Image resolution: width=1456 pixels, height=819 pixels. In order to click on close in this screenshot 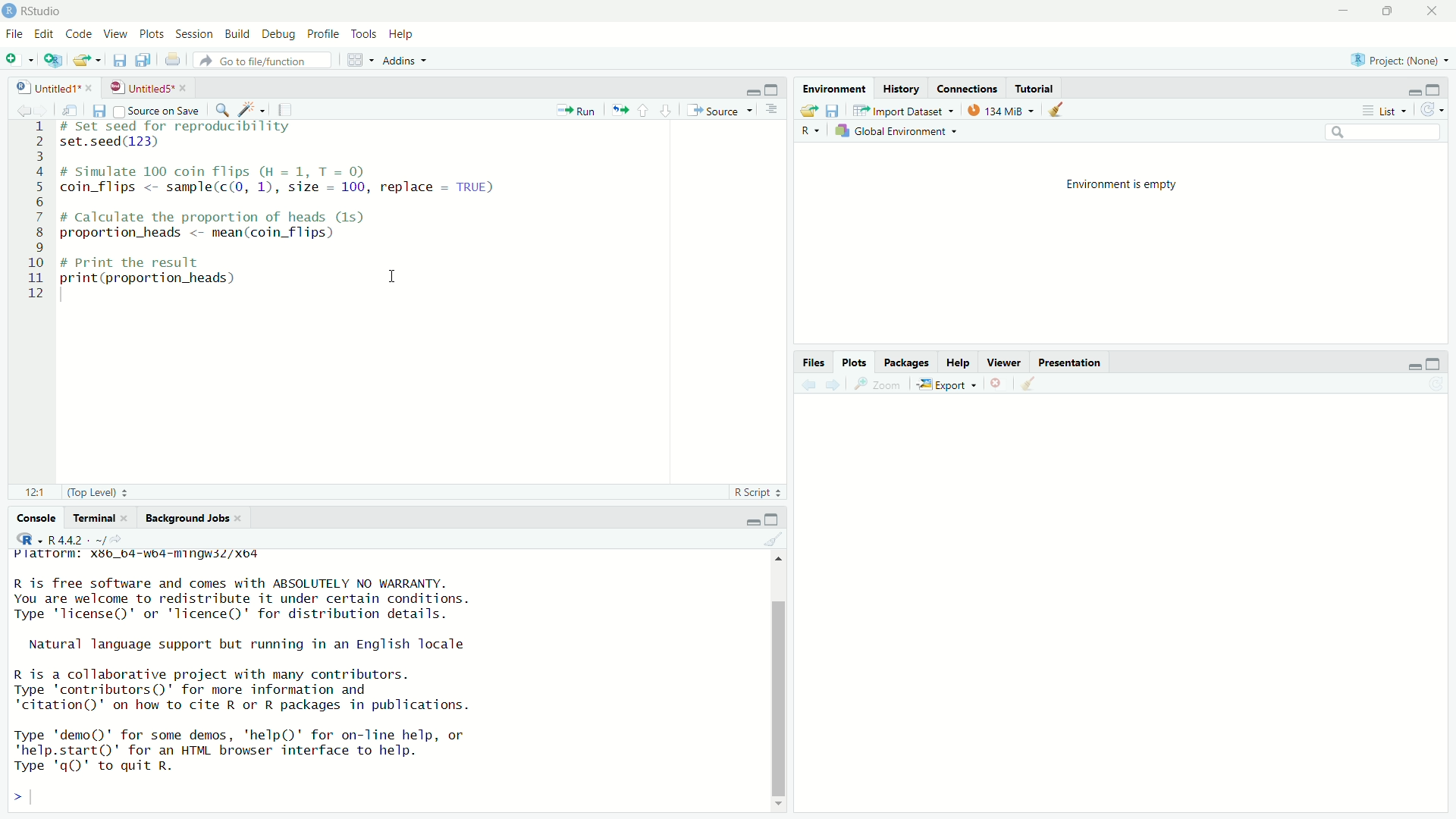, I will do `click(185, 88)`.